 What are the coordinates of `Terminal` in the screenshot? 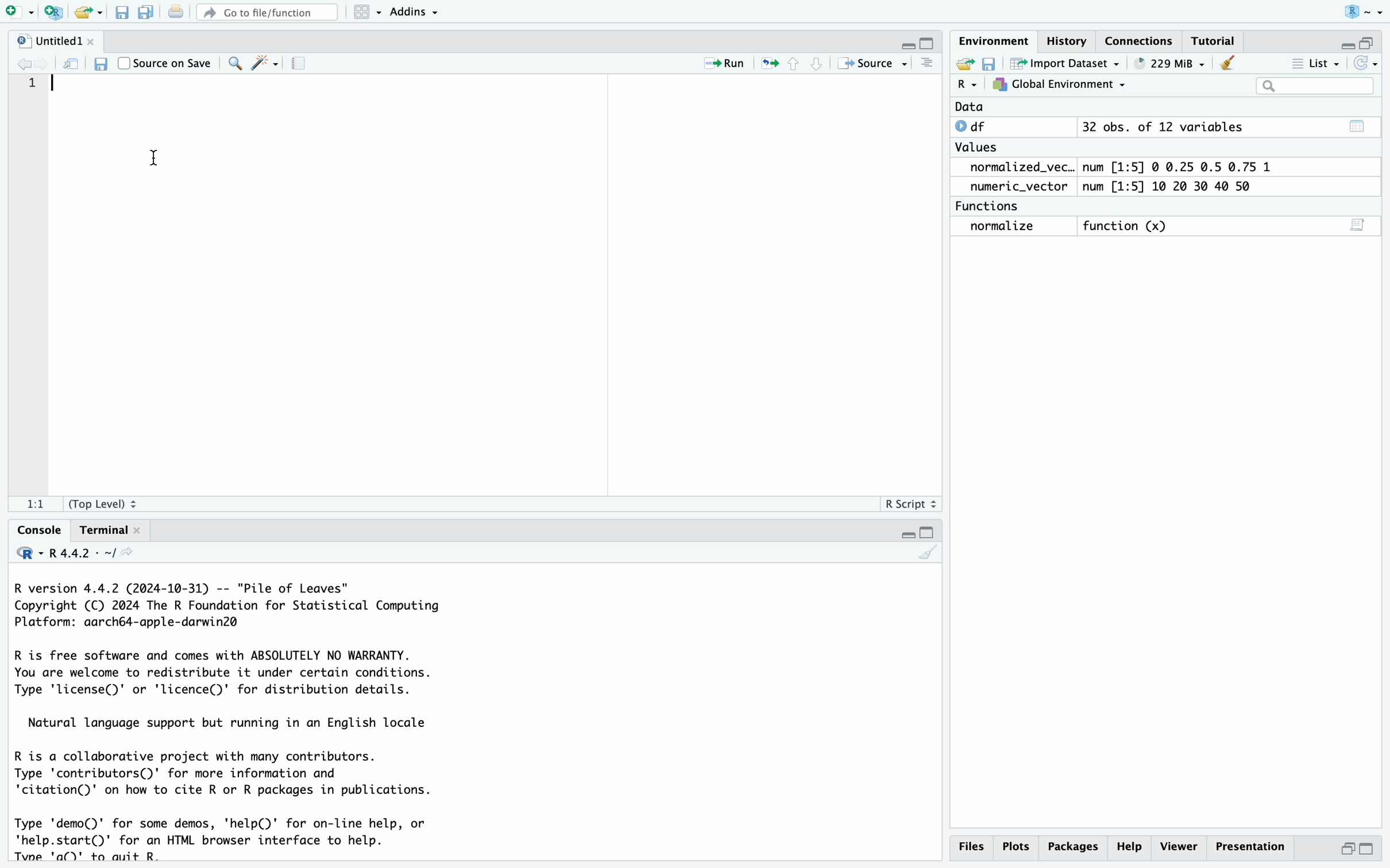 It's located at (104, 532).